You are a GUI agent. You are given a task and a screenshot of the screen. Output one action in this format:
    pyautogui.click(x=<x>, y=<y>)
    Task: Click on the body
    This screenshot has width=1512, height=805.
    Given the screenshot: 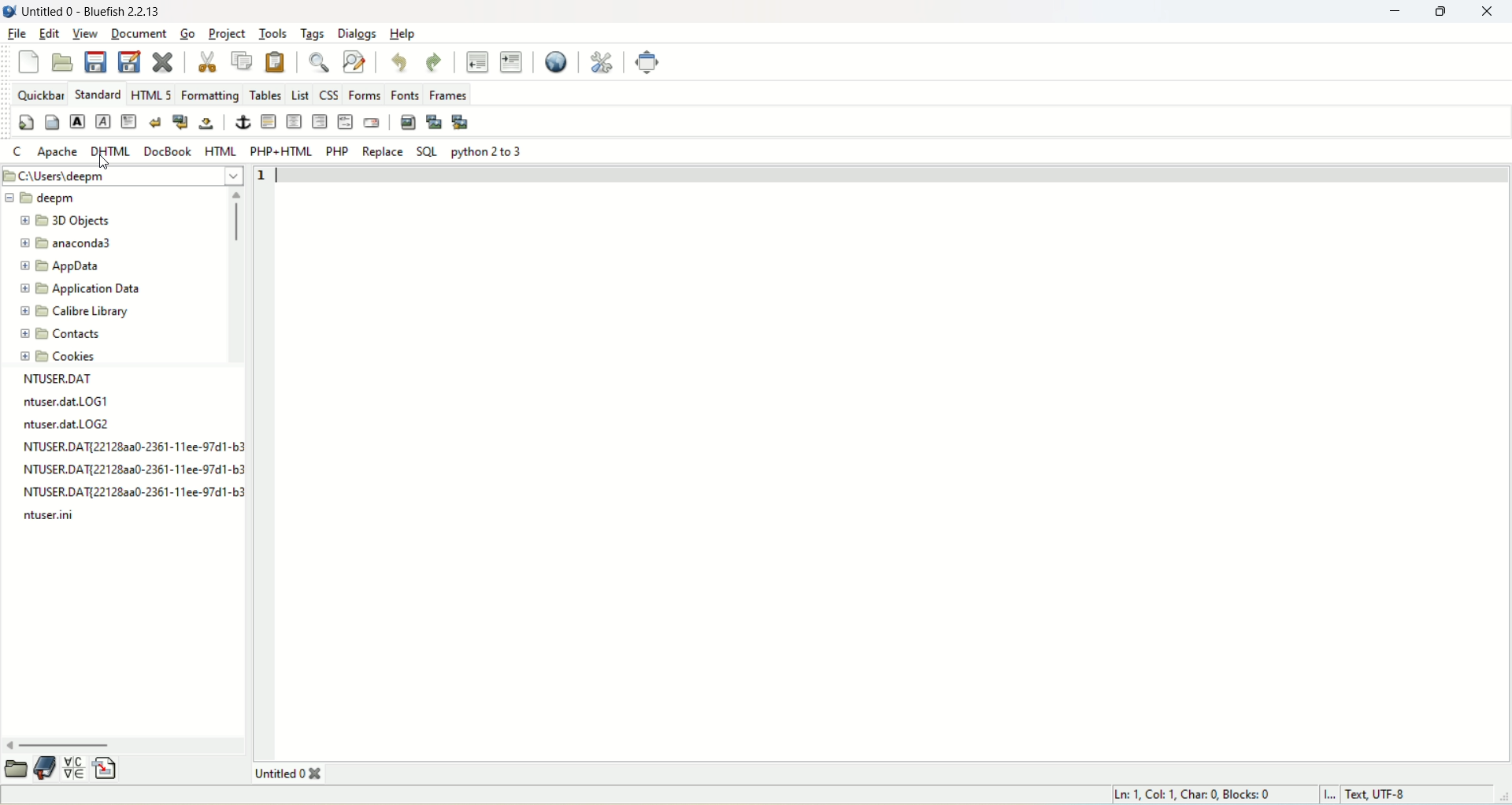 What is the action you would take?
    pyautogui.click(x=52, y=122)
    